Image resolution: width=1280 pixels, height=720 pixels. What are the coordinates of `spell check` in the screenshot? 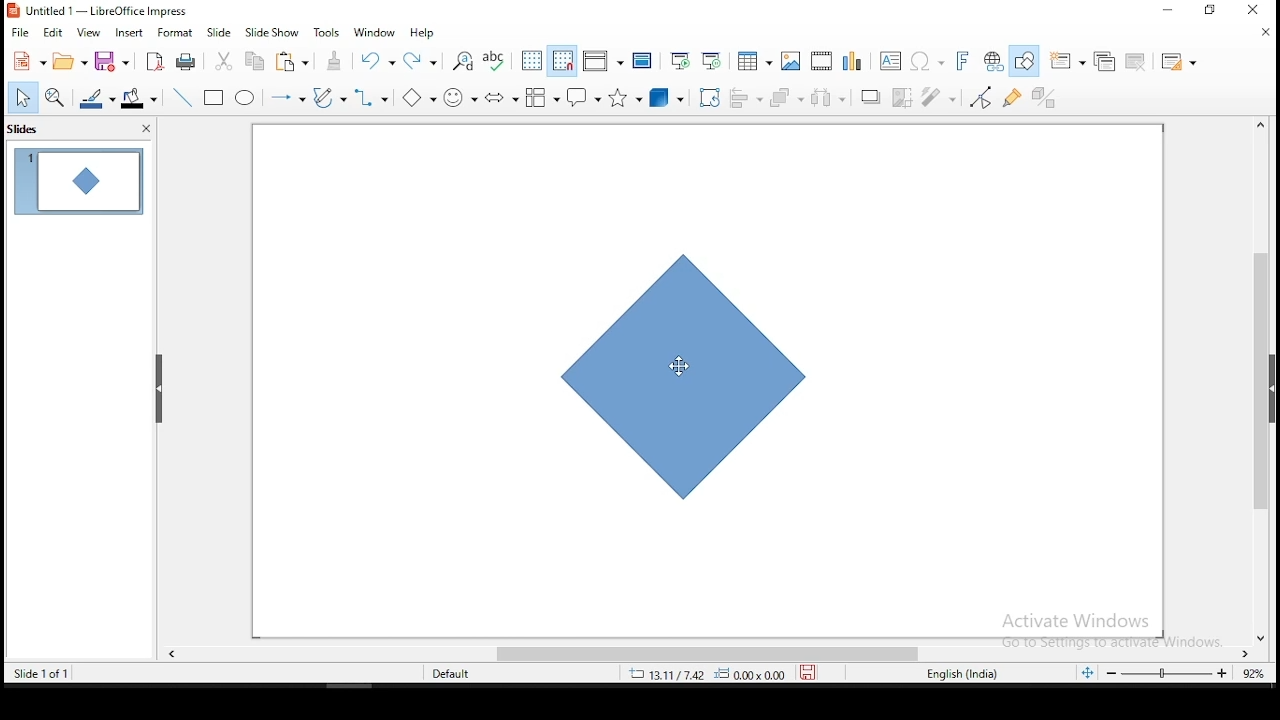 It's located at (495, 59).